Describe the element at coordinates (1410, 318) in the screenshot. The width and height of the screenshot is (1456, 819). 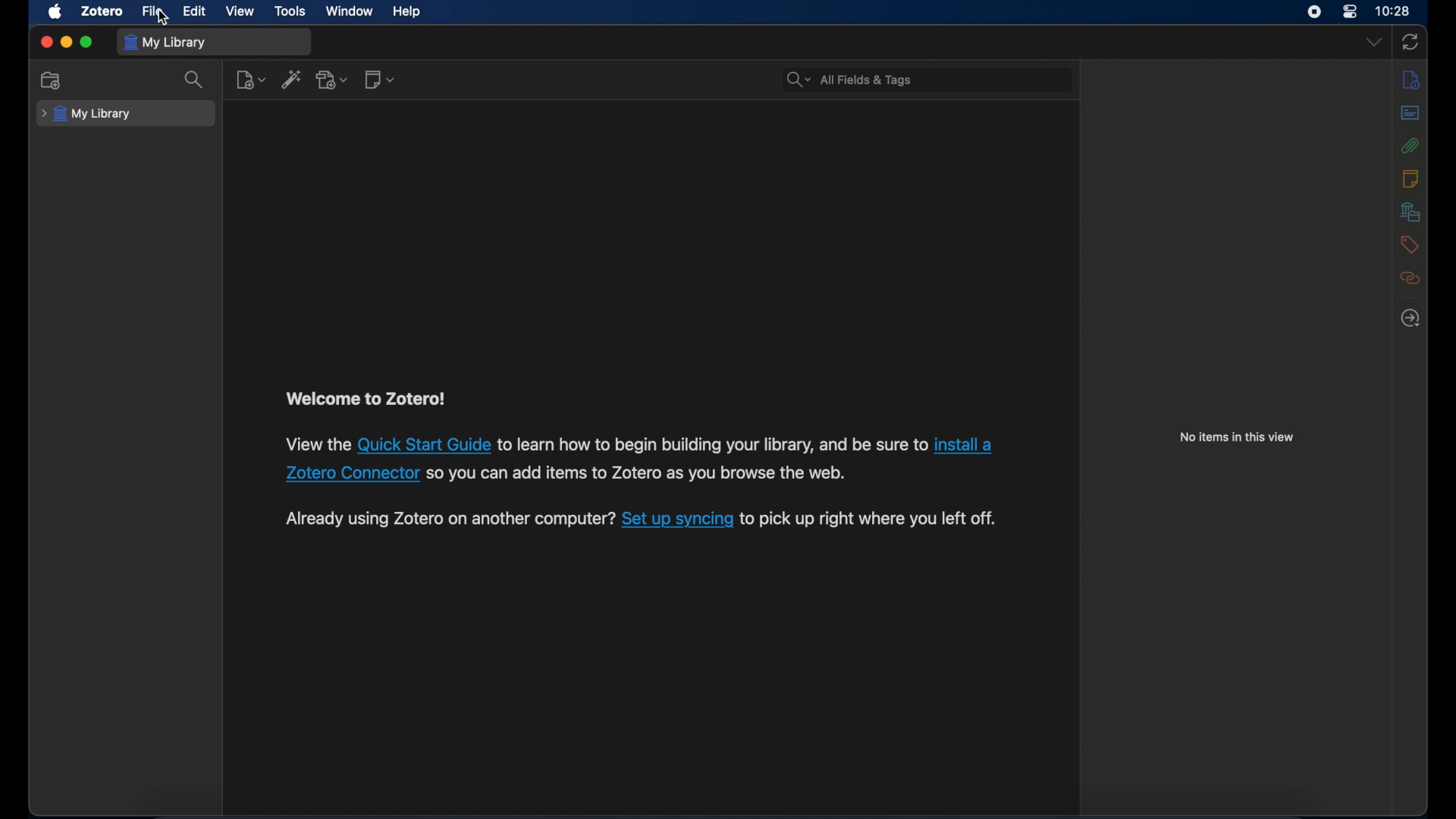
I see `locate` at that location.